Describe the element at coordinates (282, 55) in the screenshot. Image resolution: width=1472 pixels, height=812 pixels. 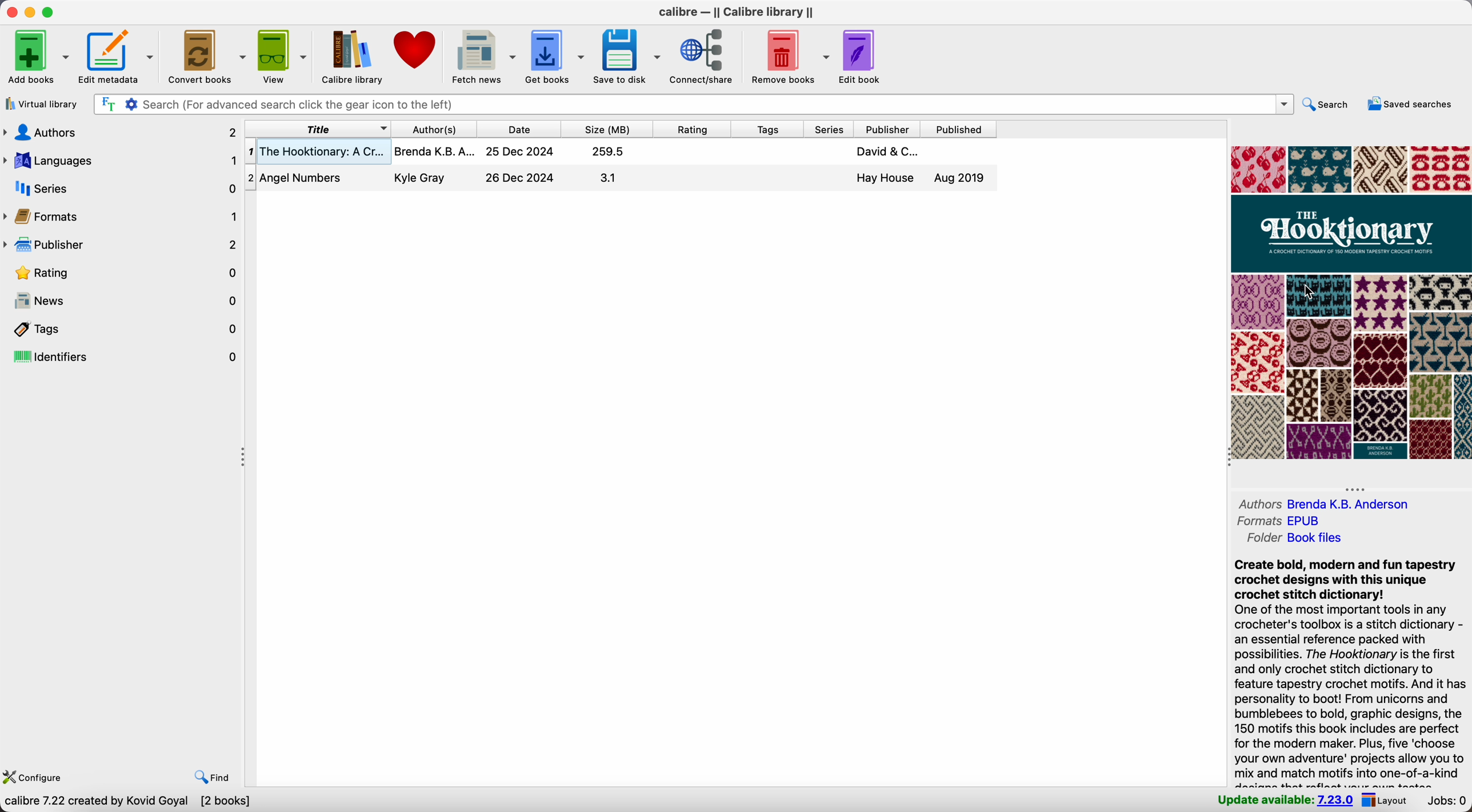
I see `view` at that location.